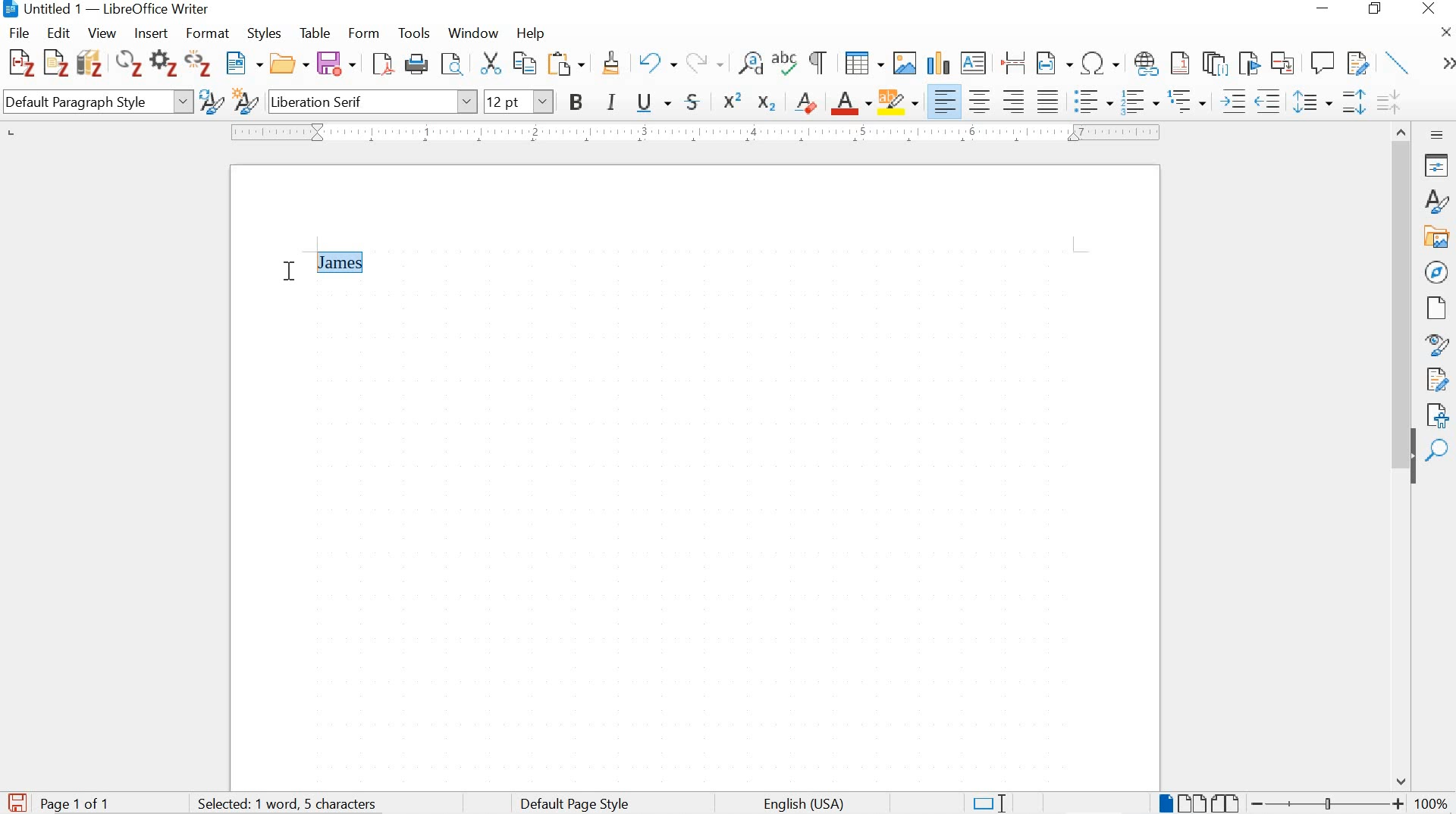  I want to click on scrollbar, so click(1402, 282).